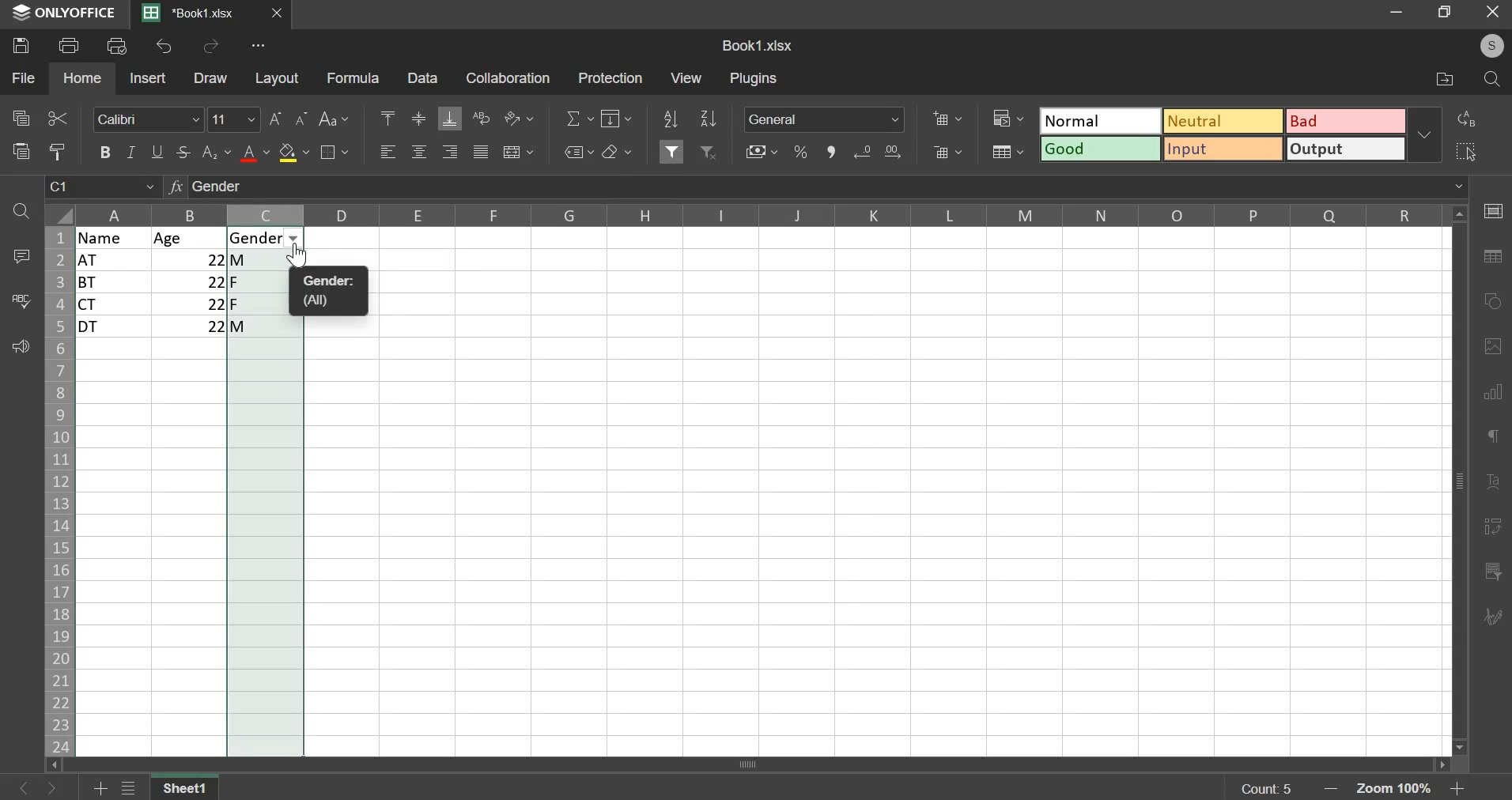 Image resolution: width=1512 pixels, height=800 pixels. I want to click on align right, so click(449, 152).